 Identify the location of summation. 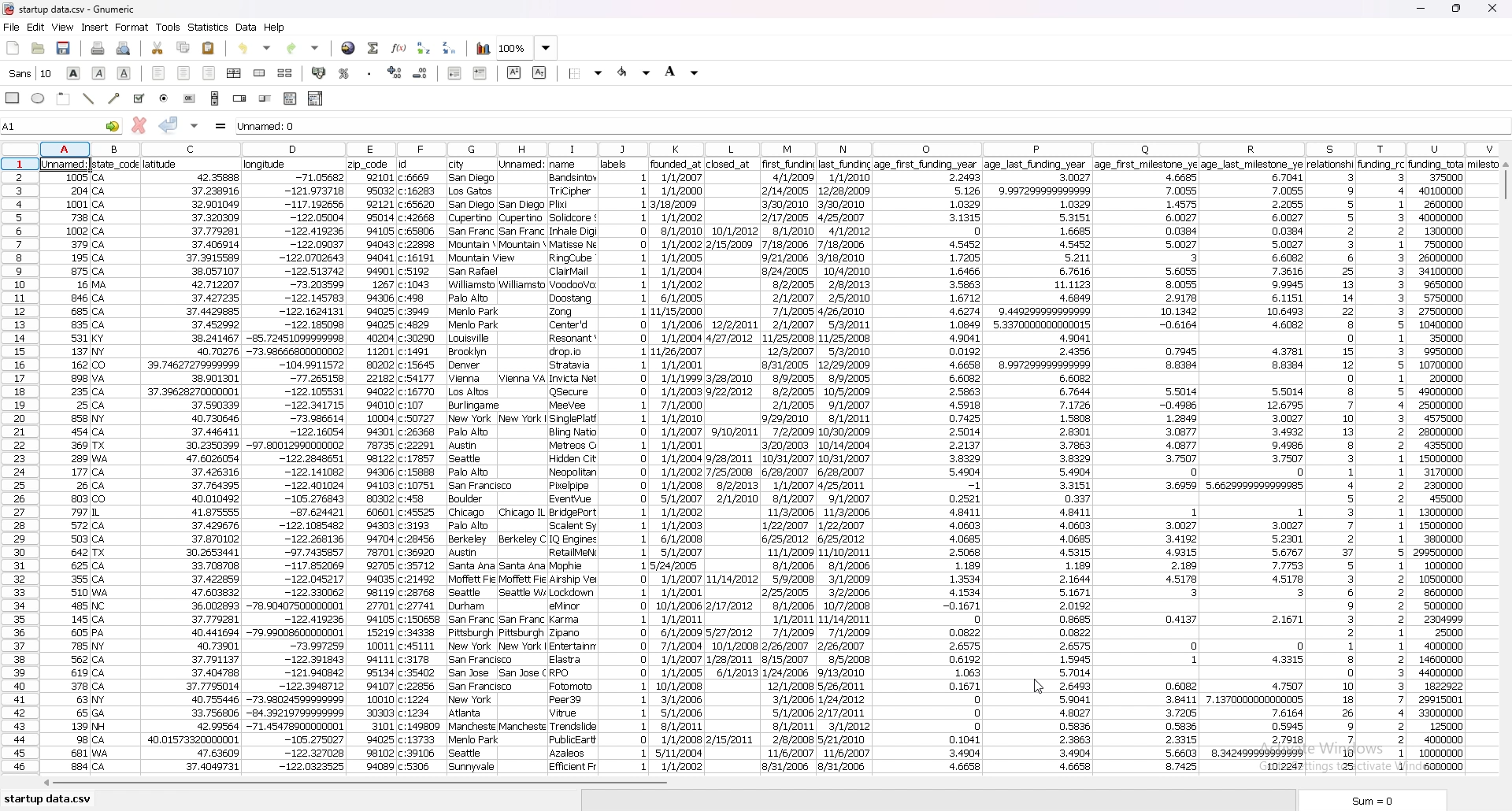
(373, 48).